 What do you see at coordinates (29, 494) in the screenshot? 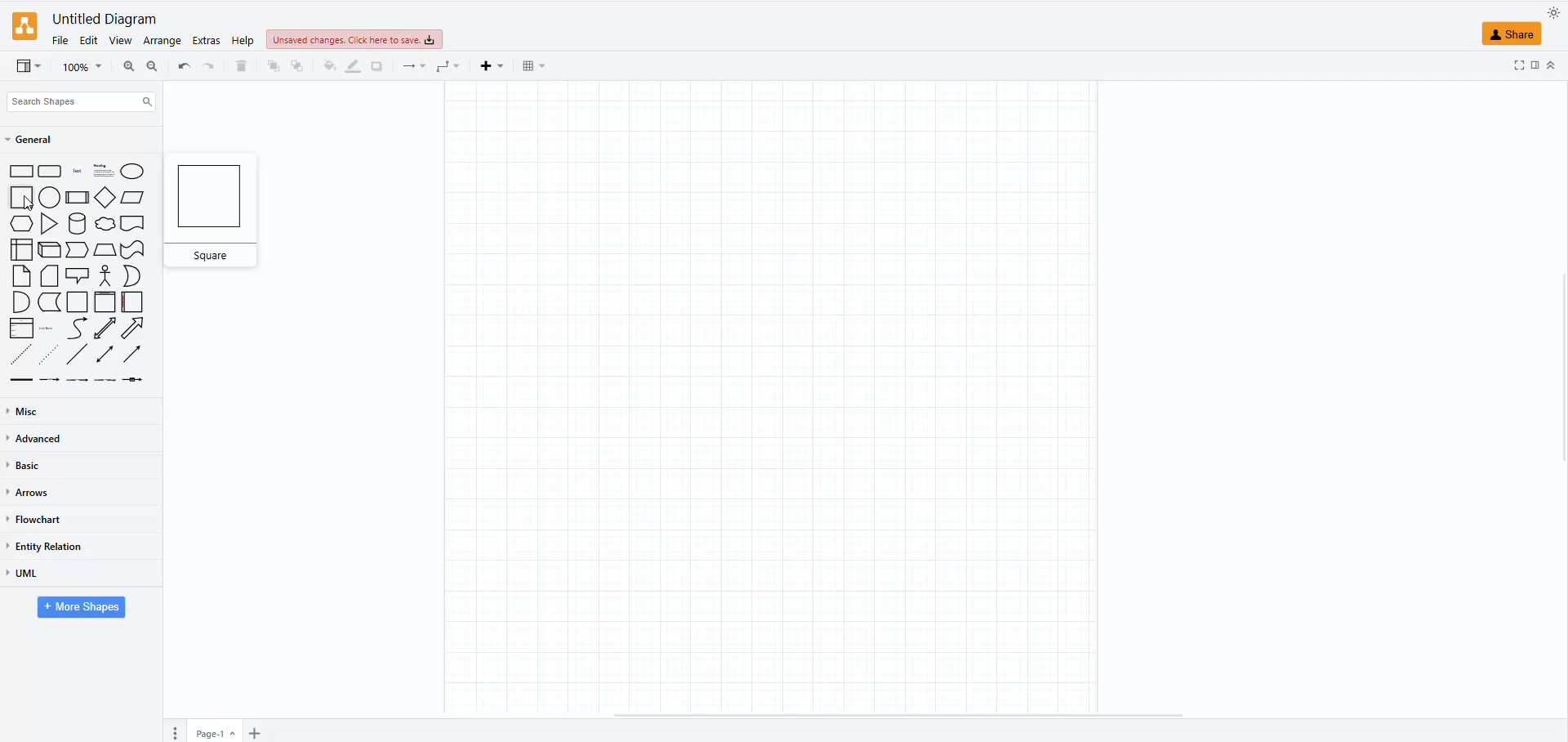
I see `arrows` at bounding box center [29, 494].